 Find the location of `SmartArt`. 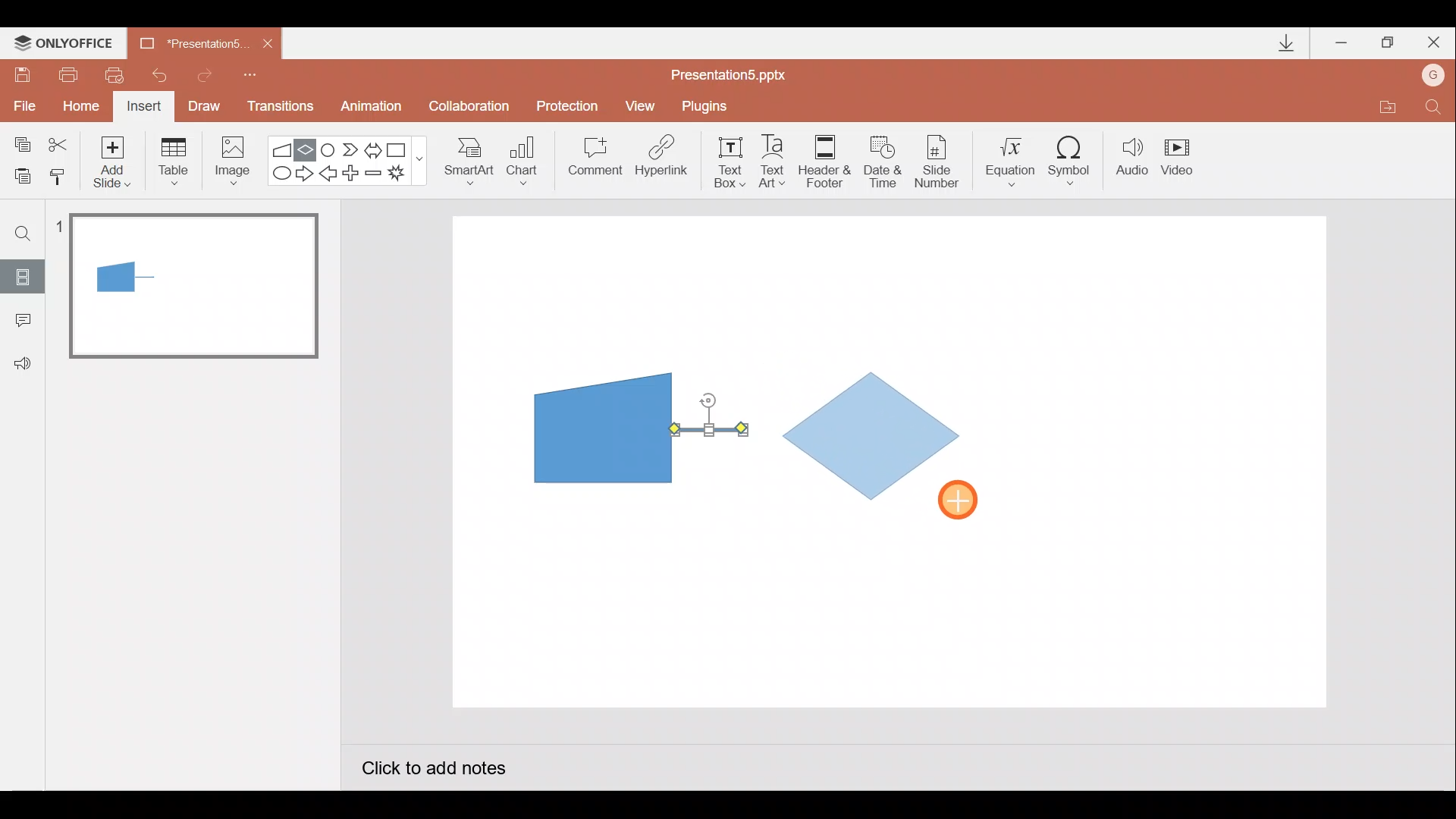

SmartArt is located at coordinates (463, 160).